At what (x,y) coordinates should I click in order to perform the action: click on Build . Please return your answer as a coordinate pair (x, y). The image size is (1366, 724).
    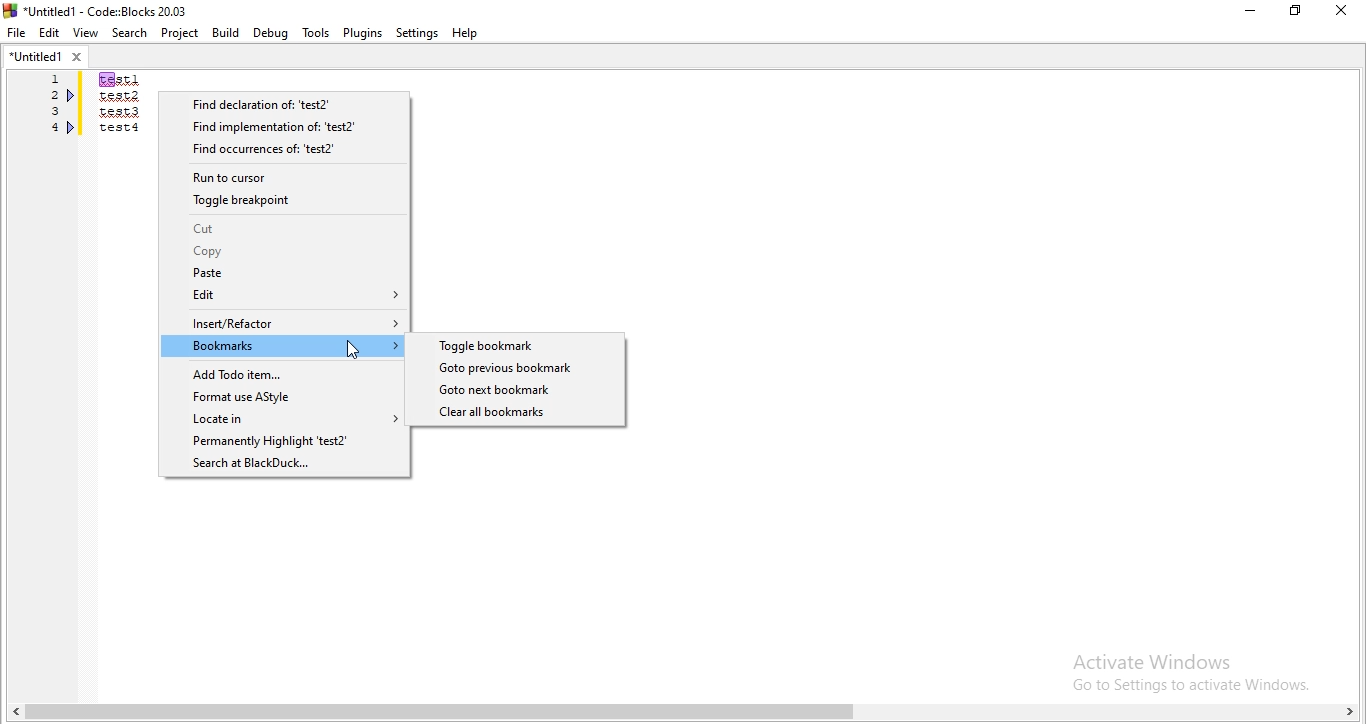
    Looking at the image, I should click on (226, 32).